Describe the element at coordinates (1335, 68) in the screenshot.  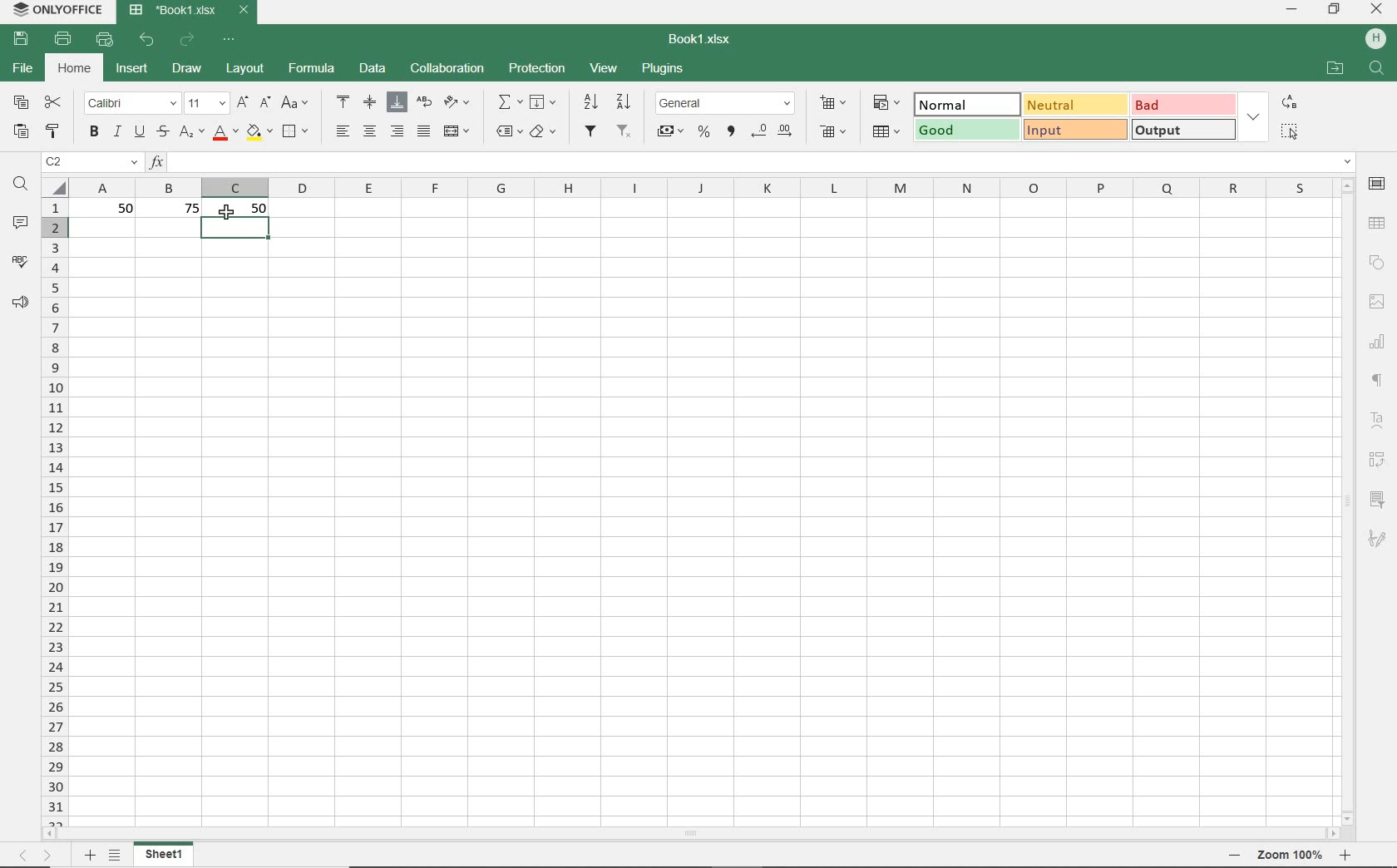
I see `open file location` at that location.